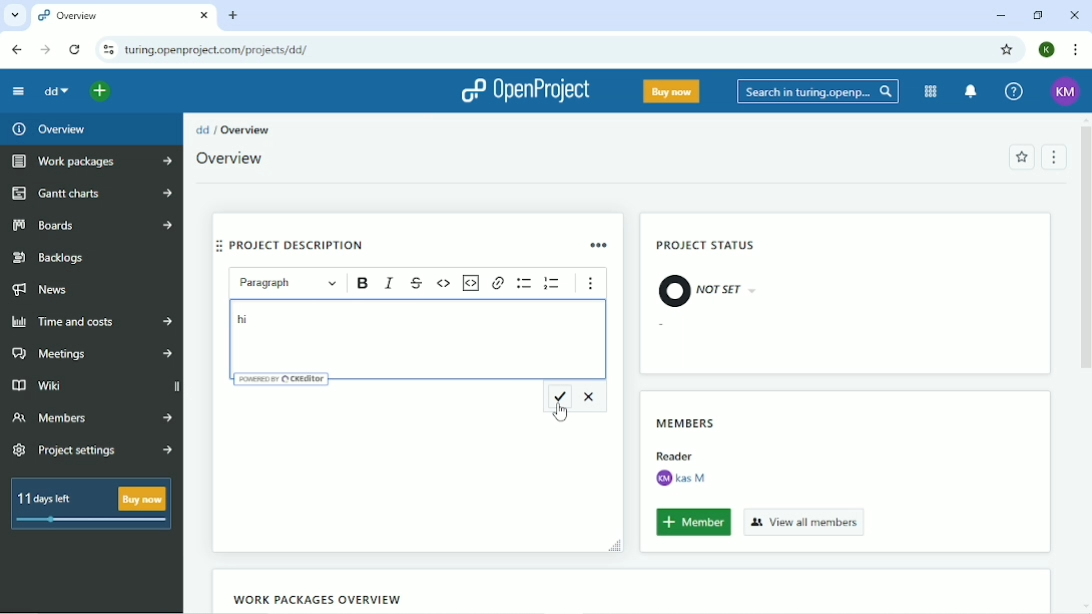  What do you see at coordinates (361, 284) in the screenshot?
I see `Bold` at bounding box center [361, 284].